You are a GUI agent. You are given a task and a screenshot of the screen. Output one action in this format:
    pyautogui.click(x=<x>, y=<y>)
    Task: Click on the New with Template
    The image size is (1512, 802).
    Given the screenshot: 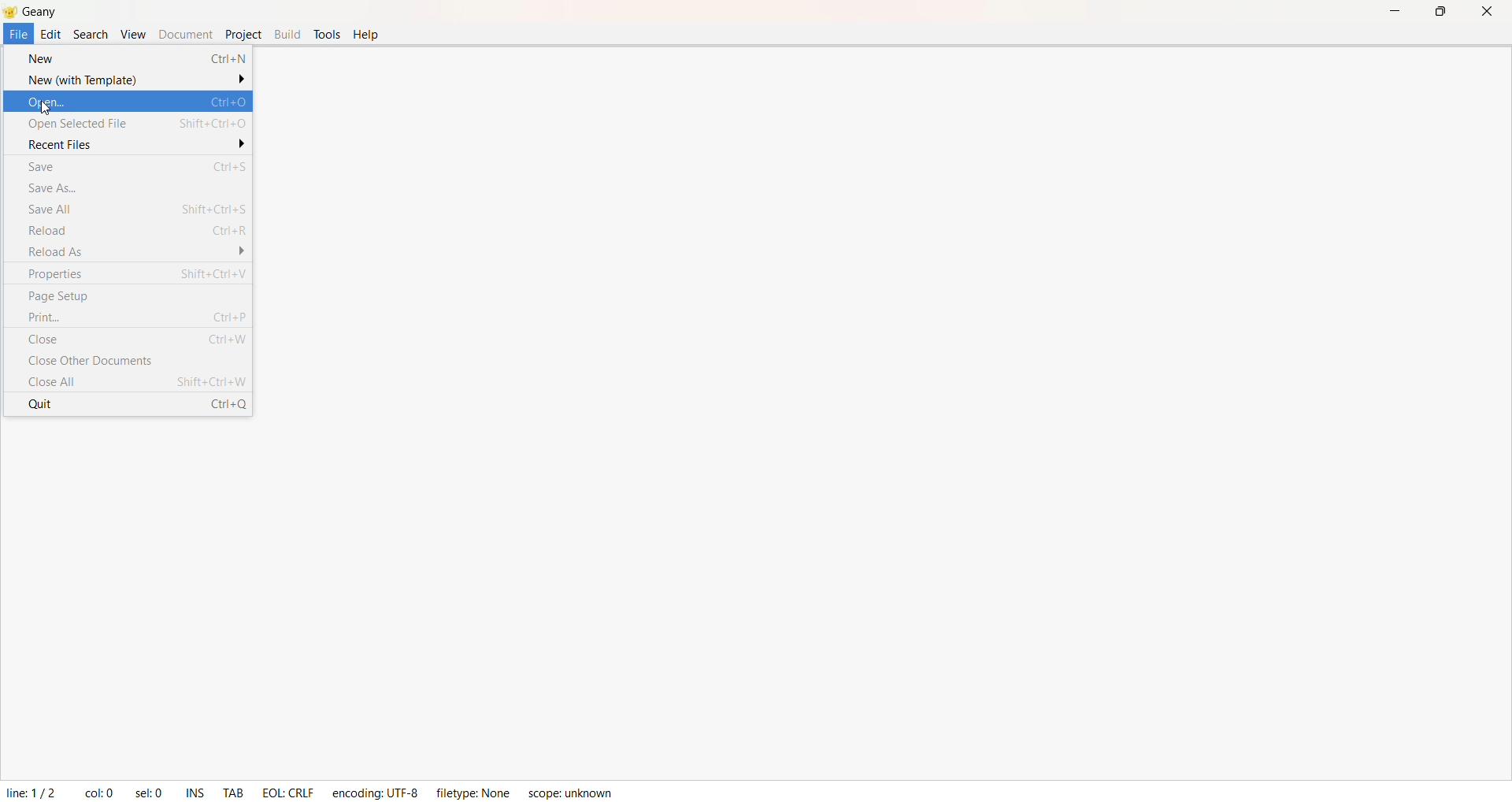 What is the action you would take?
    pyautogui.click(x=134, y=79)
    